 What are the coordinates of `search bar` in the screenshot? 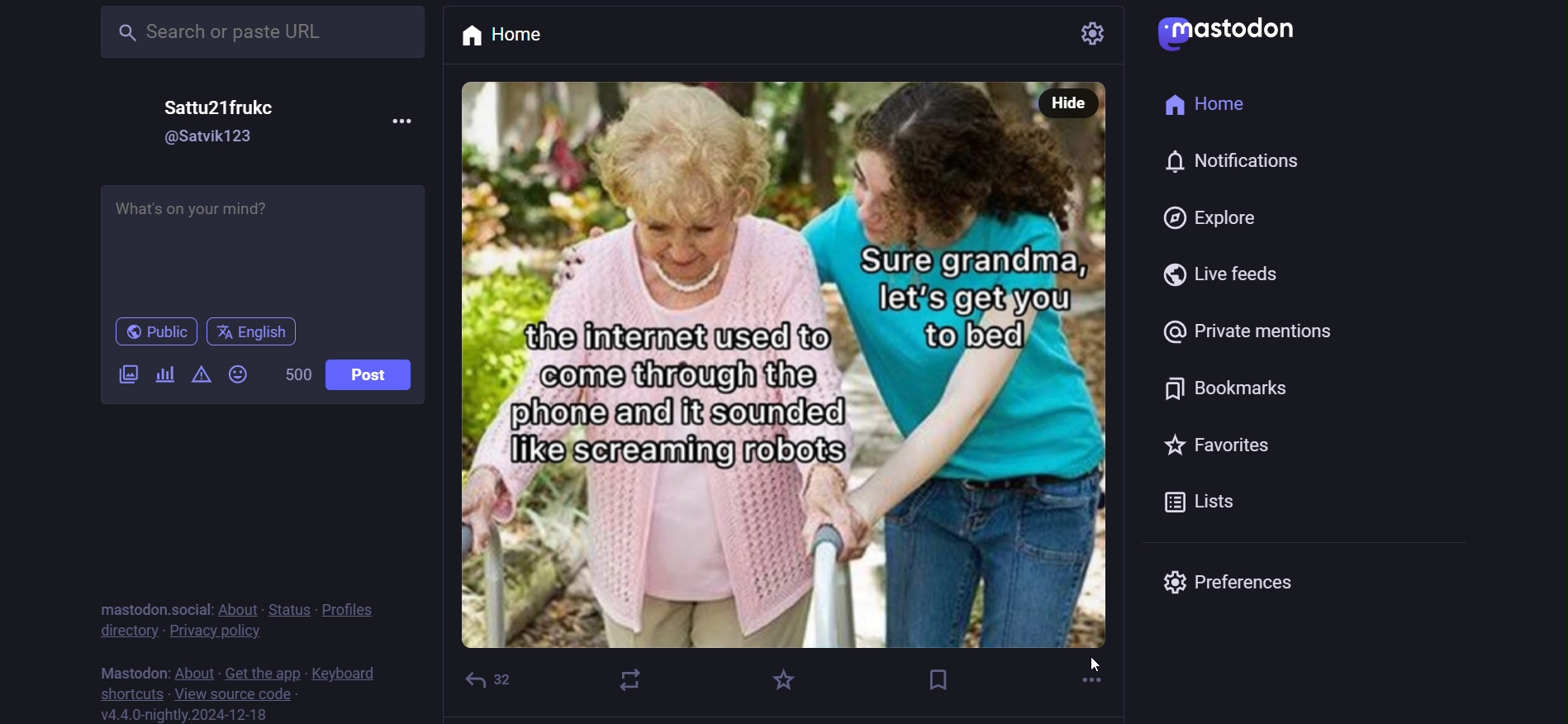 It's located at (258, 33).